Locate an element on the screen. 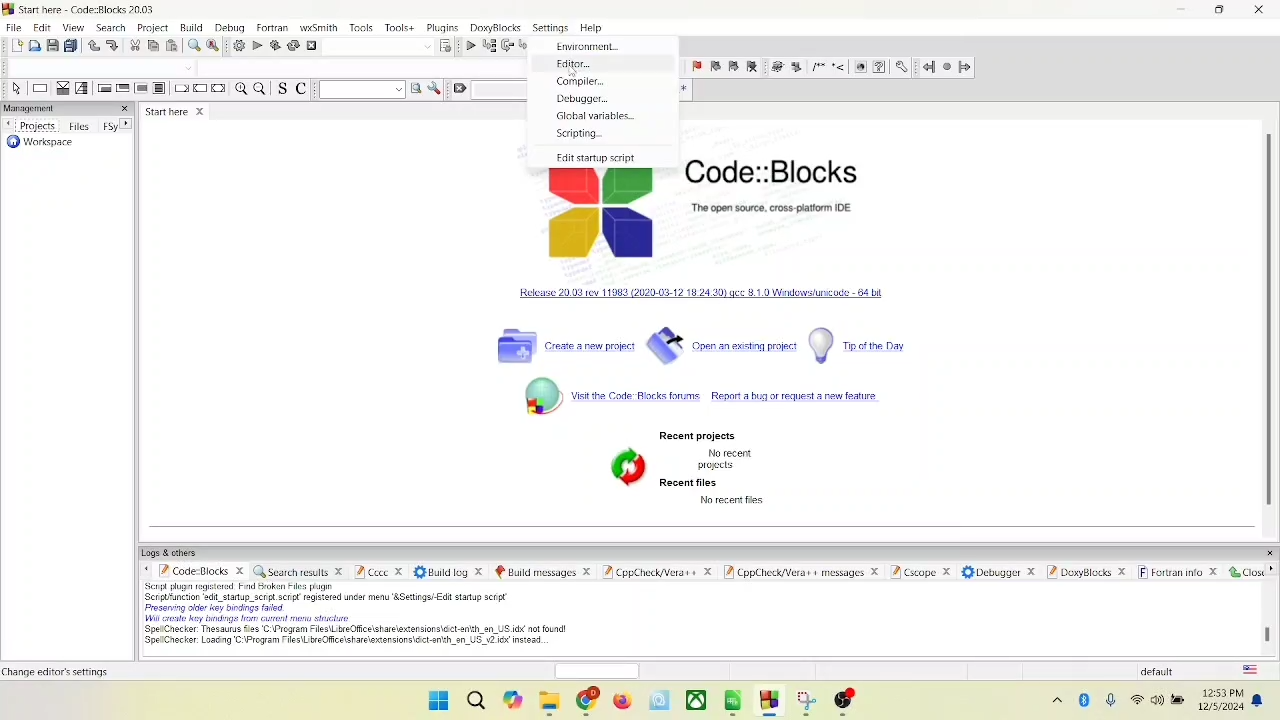 This screenshot has height=720, width=1280. return instruction is located at coordinates (219, 89).